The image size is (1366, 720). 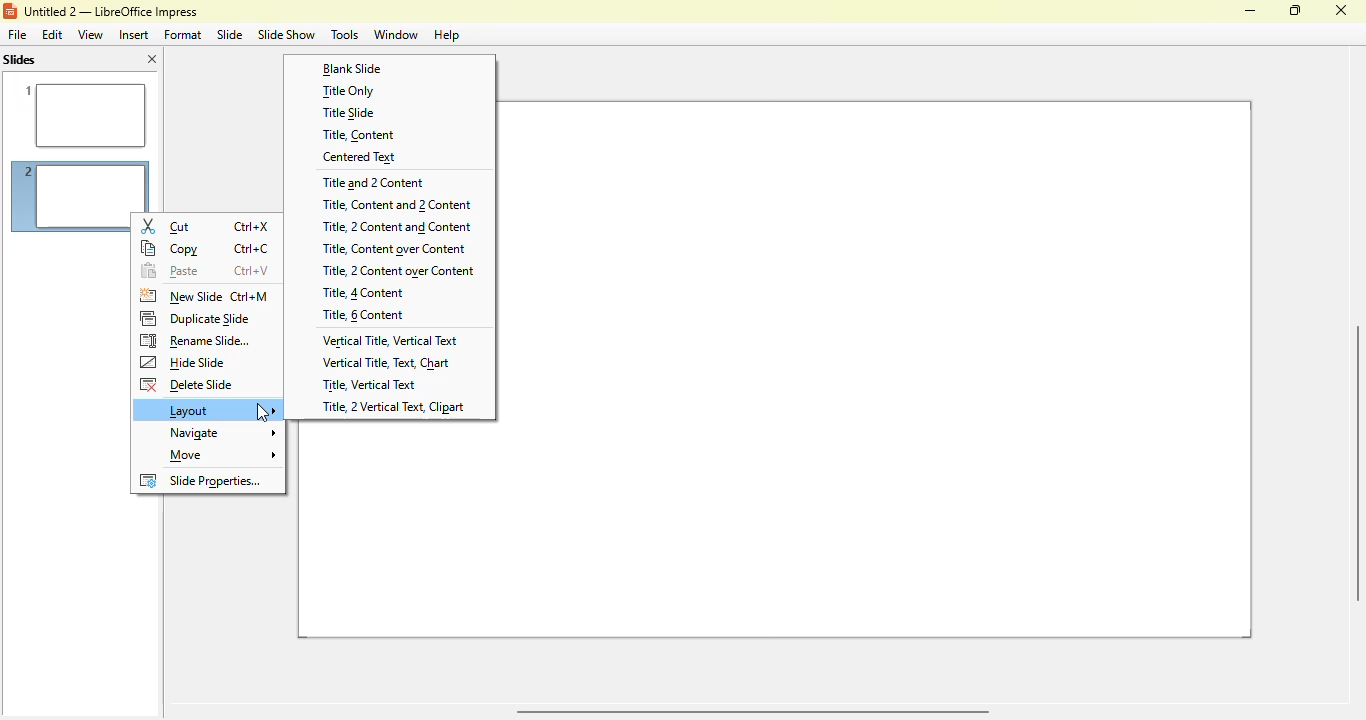 What do you see at coordinates (133, 35) in the screenshot?
I see `insert` at bounding box center [133, 35].